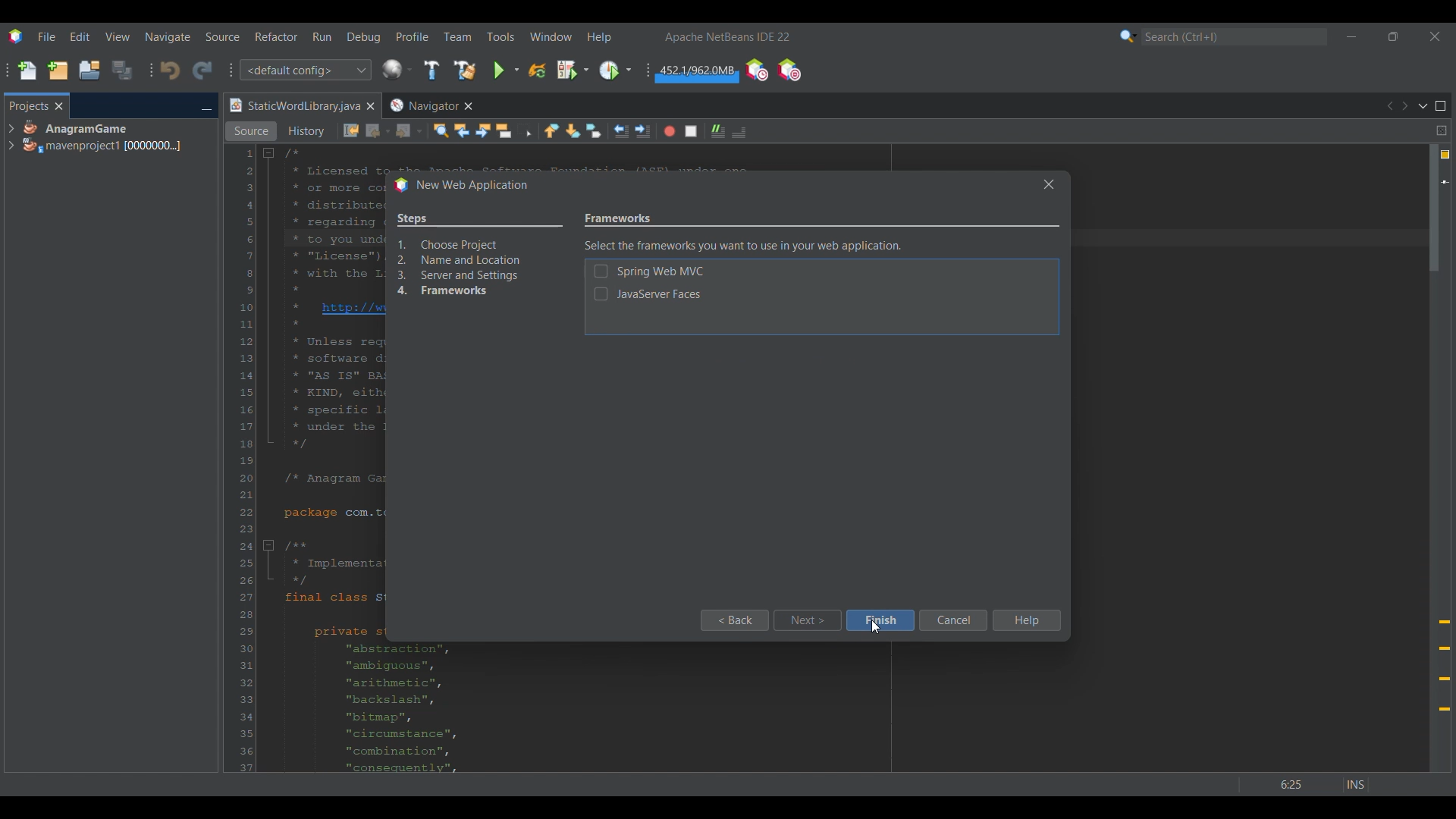 The width and height of the screenshot is (1456, 819). I want to click on Profile IDE, so click(756, 71).